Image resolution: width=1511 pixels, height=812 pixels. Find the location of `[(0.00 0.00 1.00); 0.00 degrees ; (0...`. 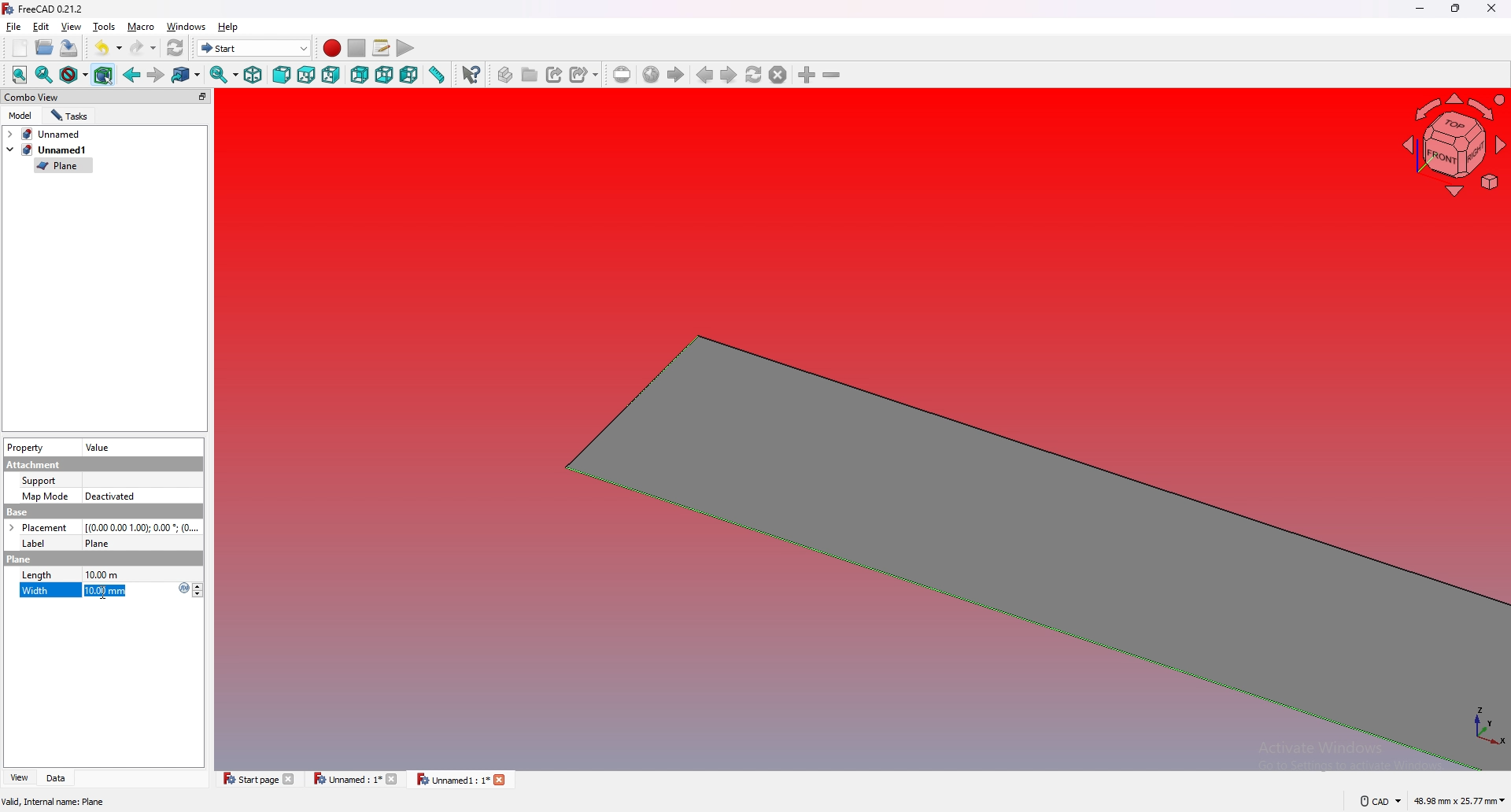

[(0.00 0.00 1.00); 0.00 degrees ; (0... is located at coordinates (144, 526).